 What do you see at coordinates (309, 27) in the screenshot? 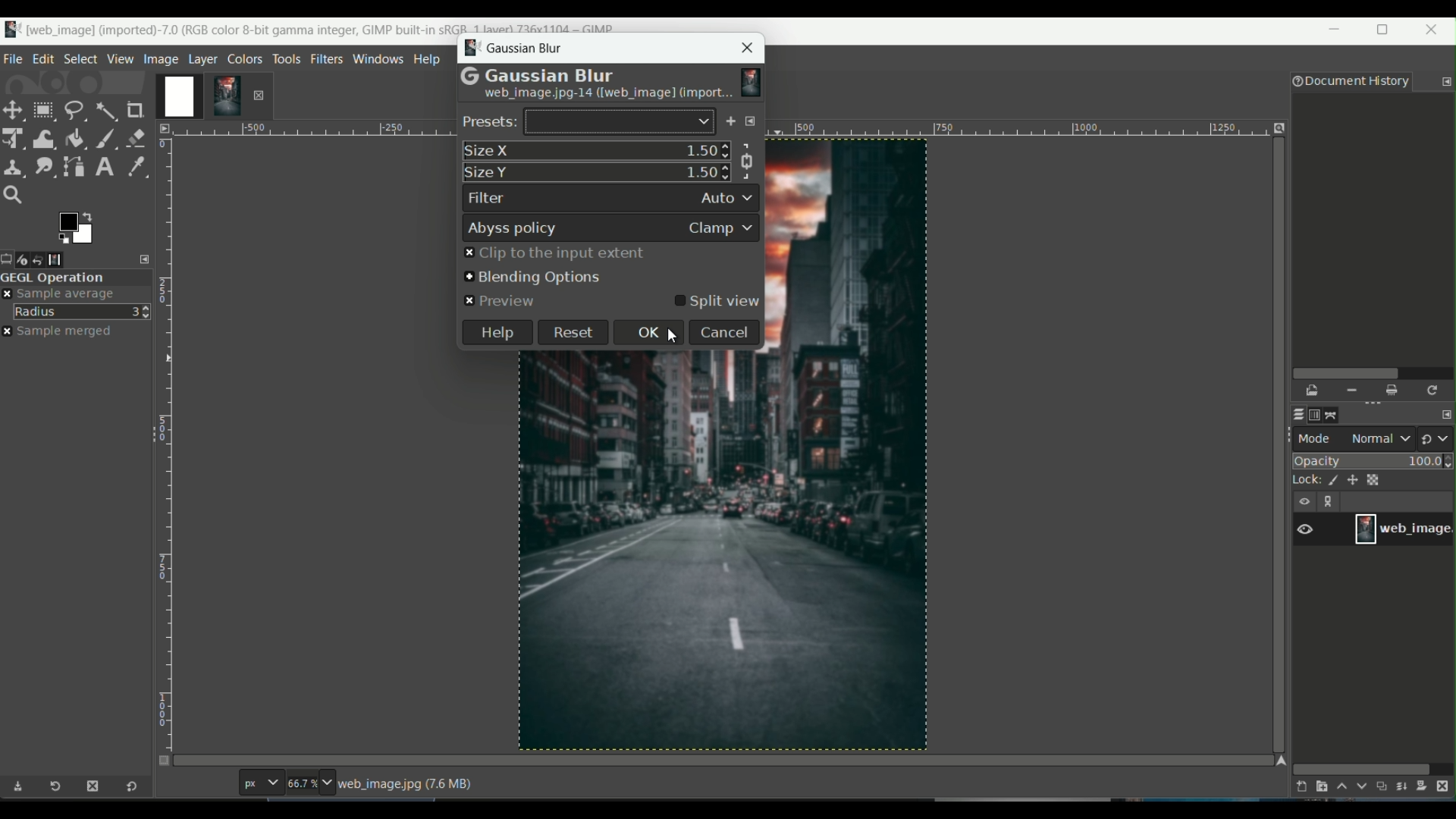
I see `app name` at bounding box center [309, 27].